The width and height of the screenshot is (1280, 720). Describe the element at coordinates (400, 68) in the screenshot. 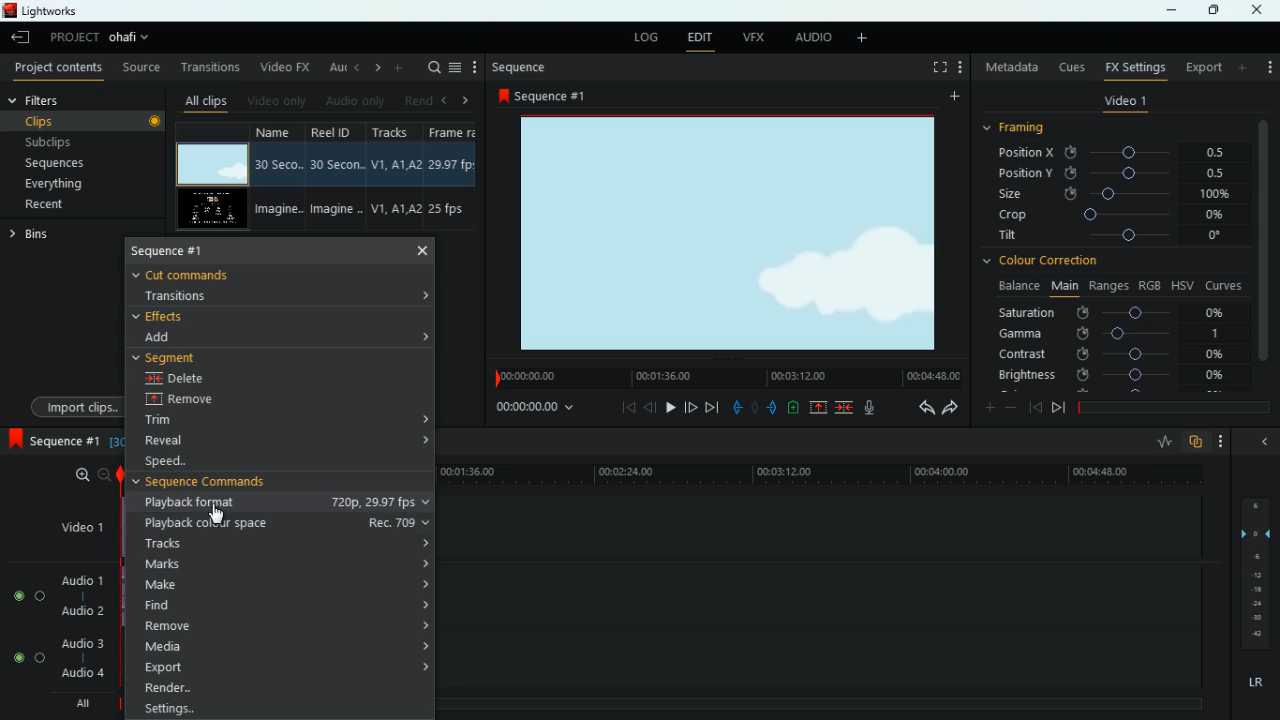

I see `more` at that location.